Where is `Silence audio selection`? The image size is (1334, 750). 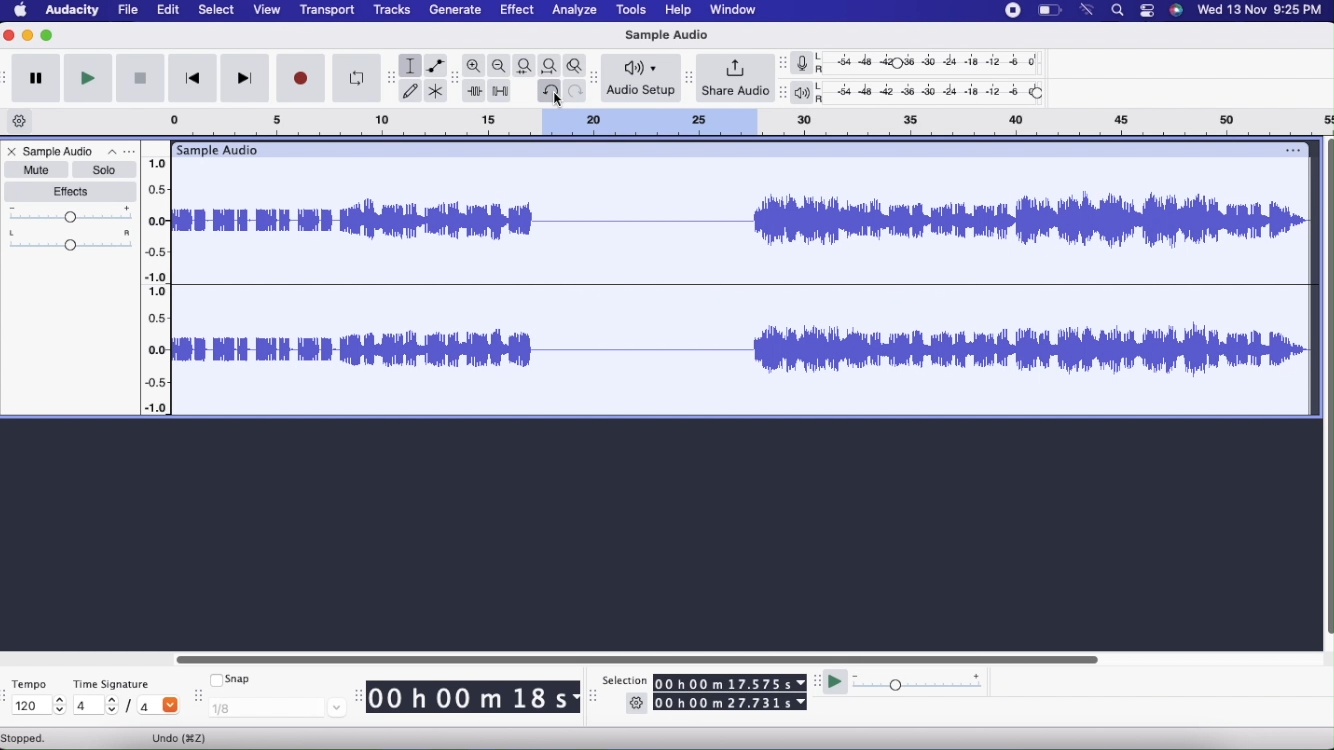 Silence audio selection is located at coordinates (498, 91).